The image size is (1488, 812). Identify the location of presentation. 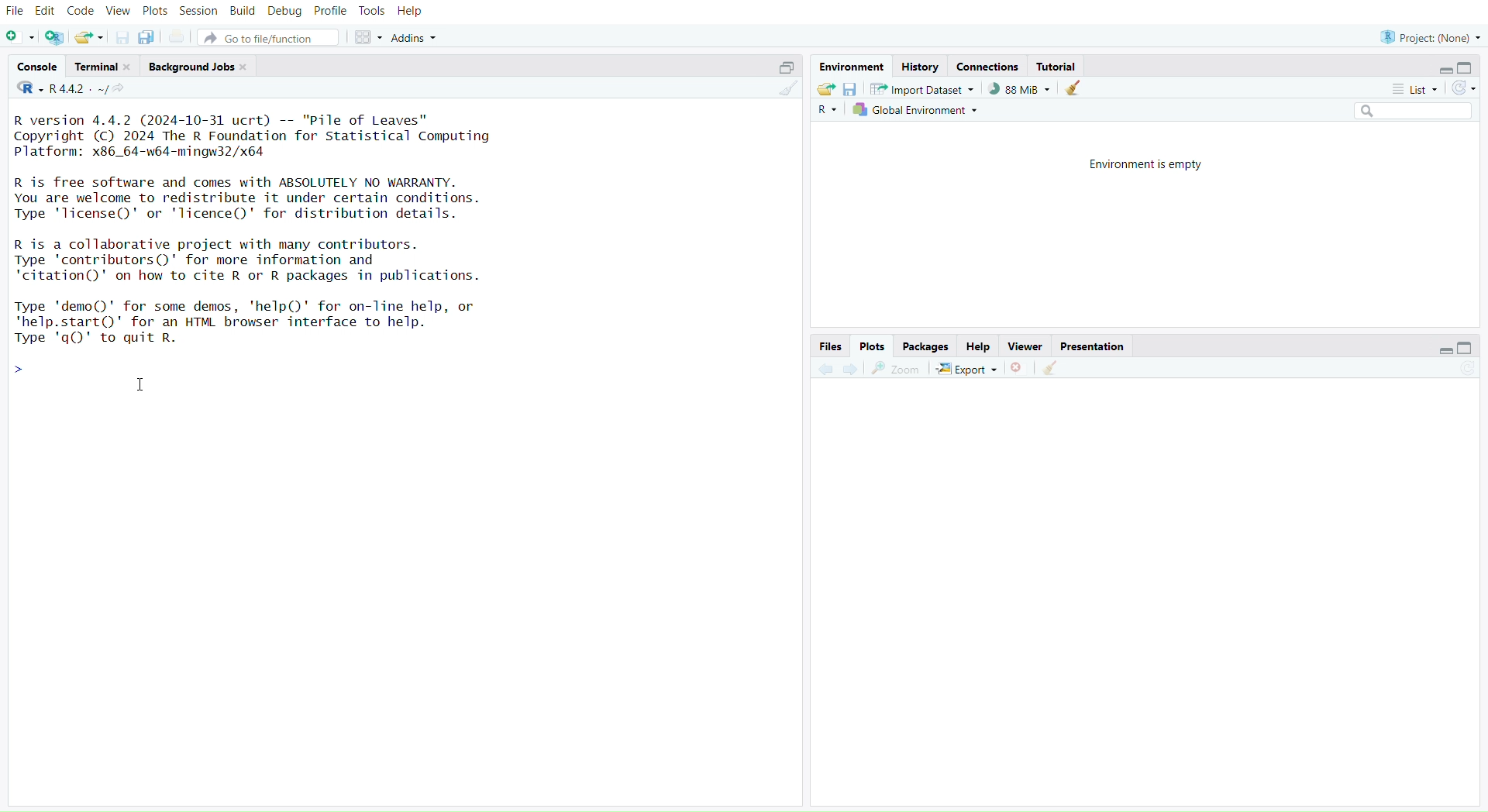
(1094, 347).